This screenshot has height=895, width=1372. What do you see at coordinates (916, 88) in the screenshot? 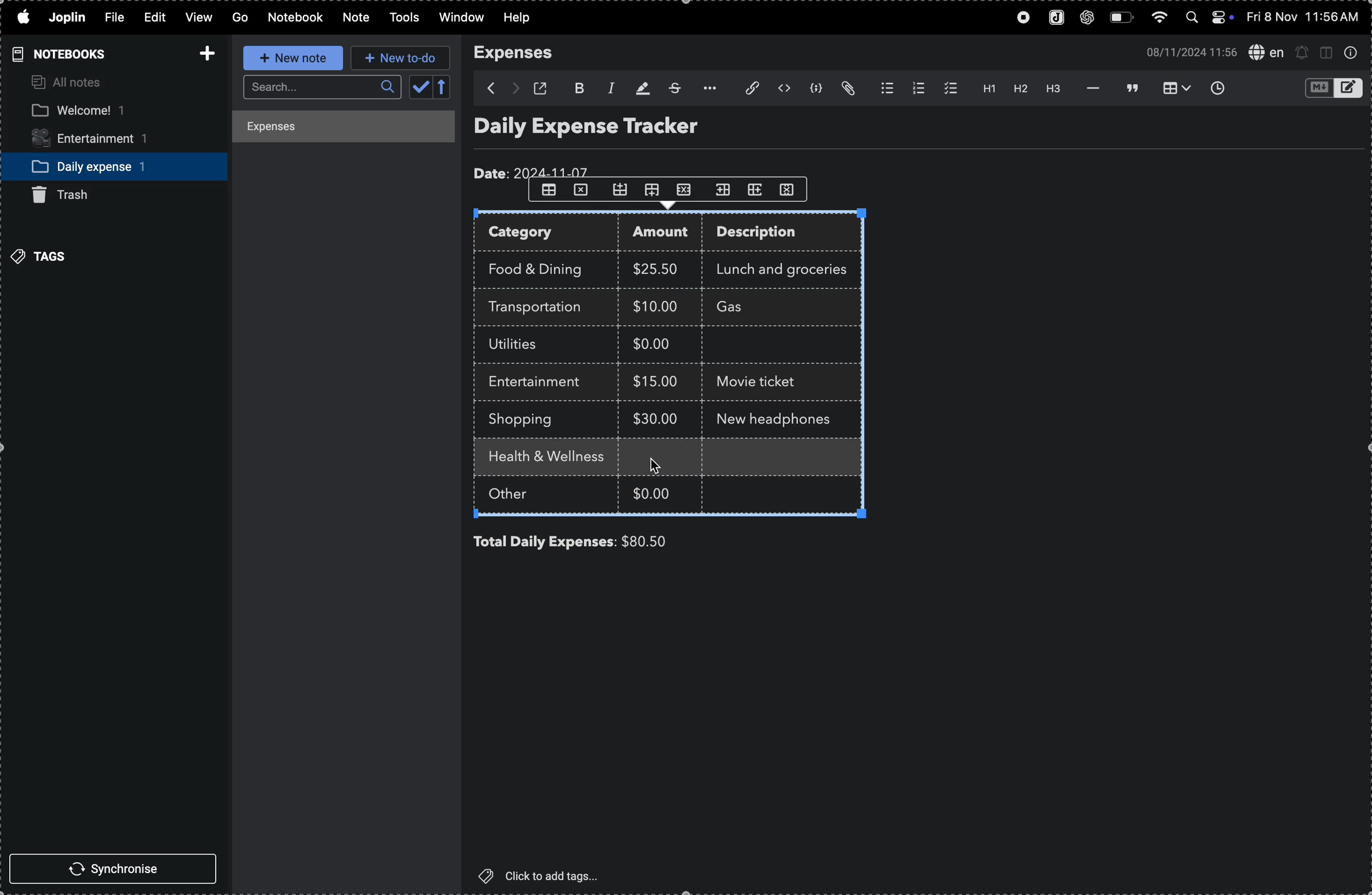
I see `numberlist` at bounding box center [916, 88].